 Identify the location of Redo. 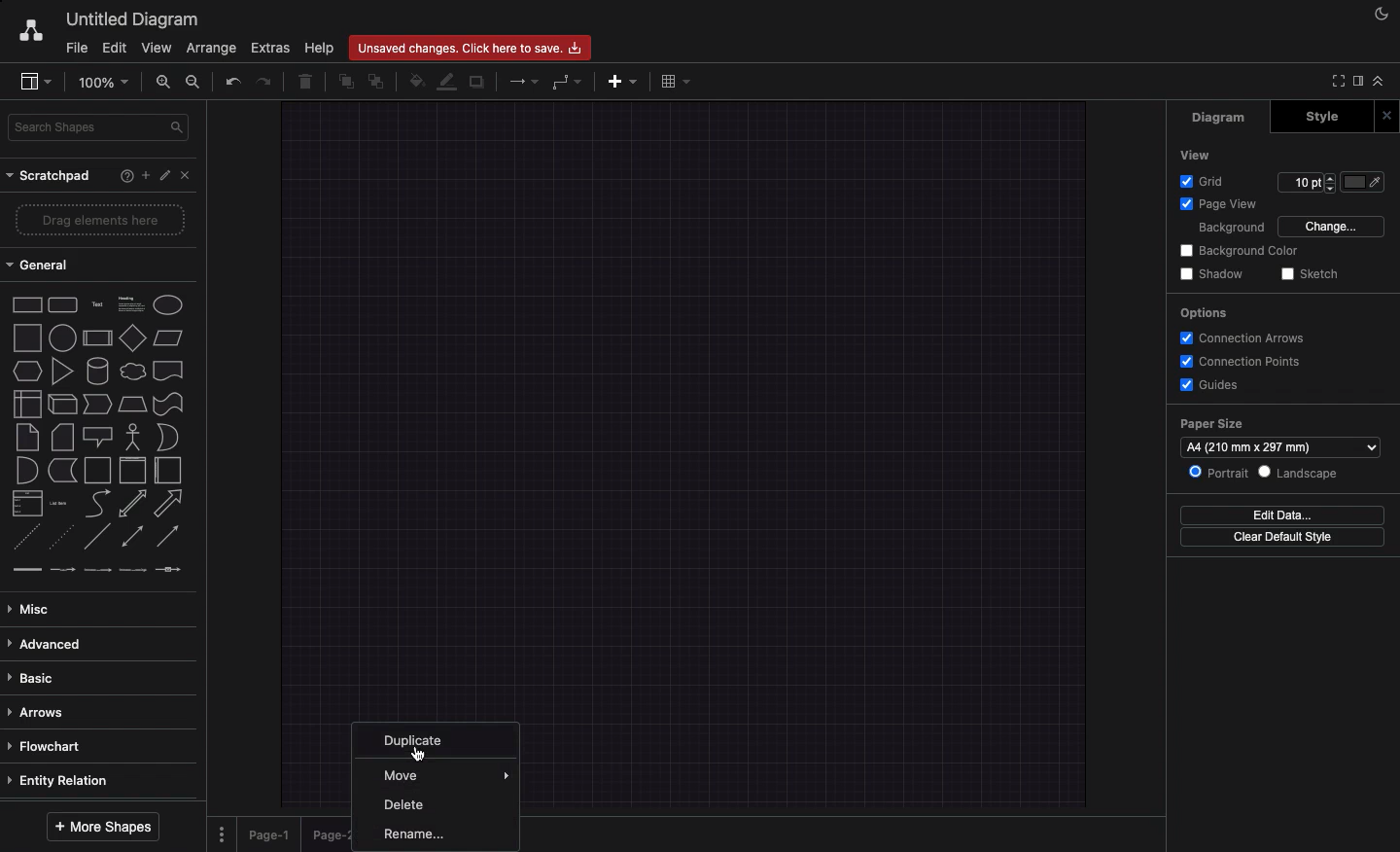
(262, 82).